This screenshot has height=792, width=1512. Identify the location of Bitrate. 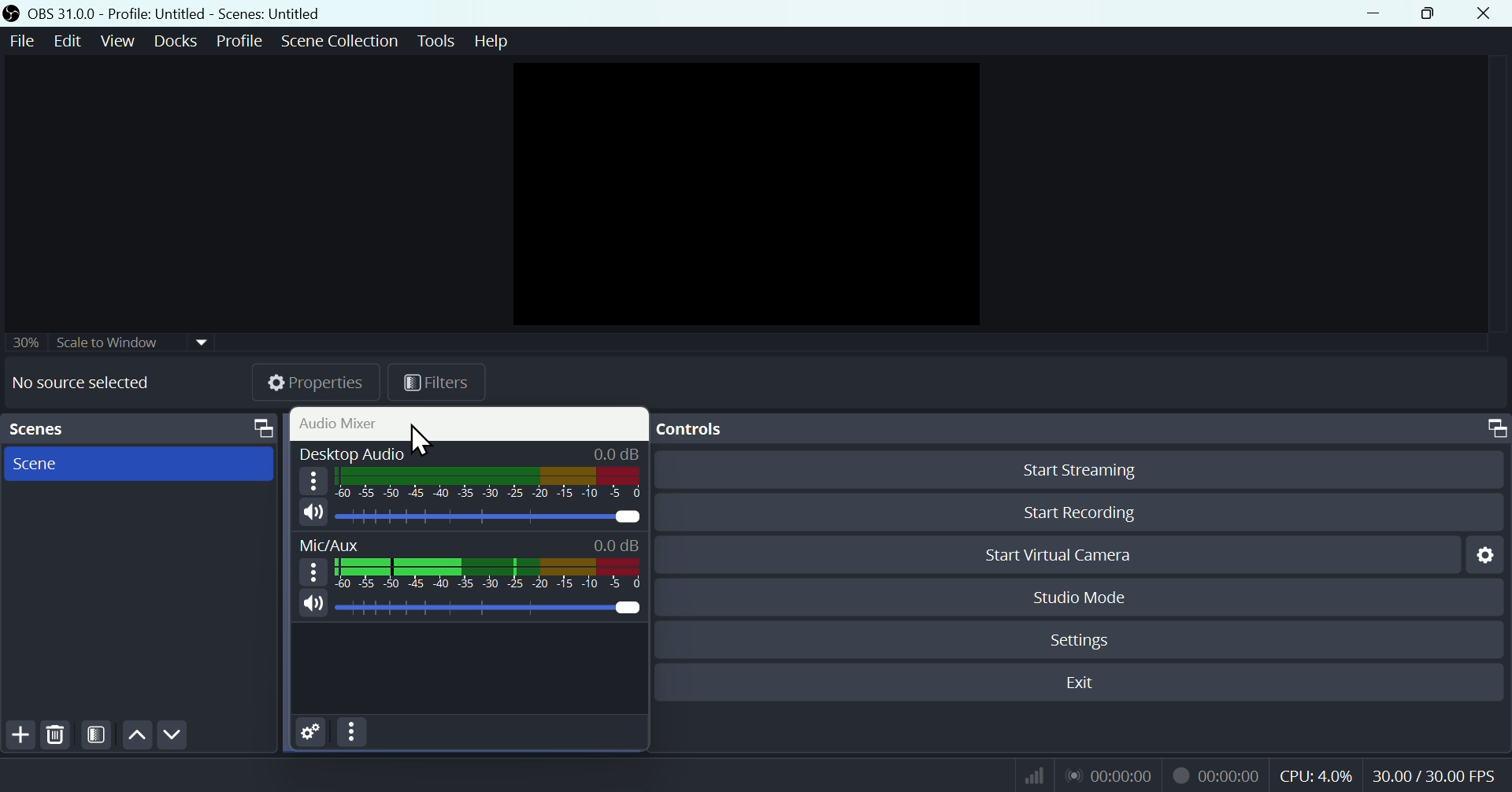
(1032, 775).